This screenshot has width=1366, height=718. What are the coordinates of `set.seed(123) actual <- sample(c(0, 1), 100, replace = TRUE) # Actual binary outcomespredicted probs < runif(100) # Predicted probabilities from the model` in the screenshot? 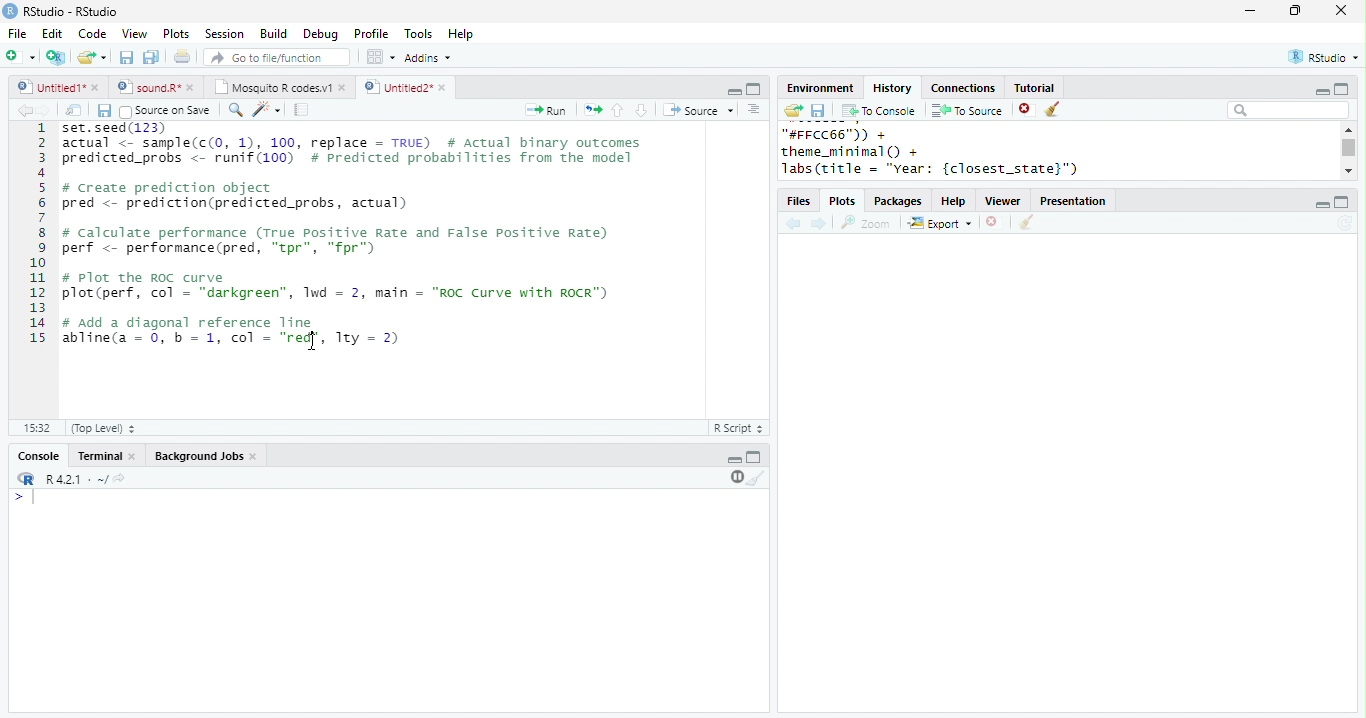 It's located at (355, 148).